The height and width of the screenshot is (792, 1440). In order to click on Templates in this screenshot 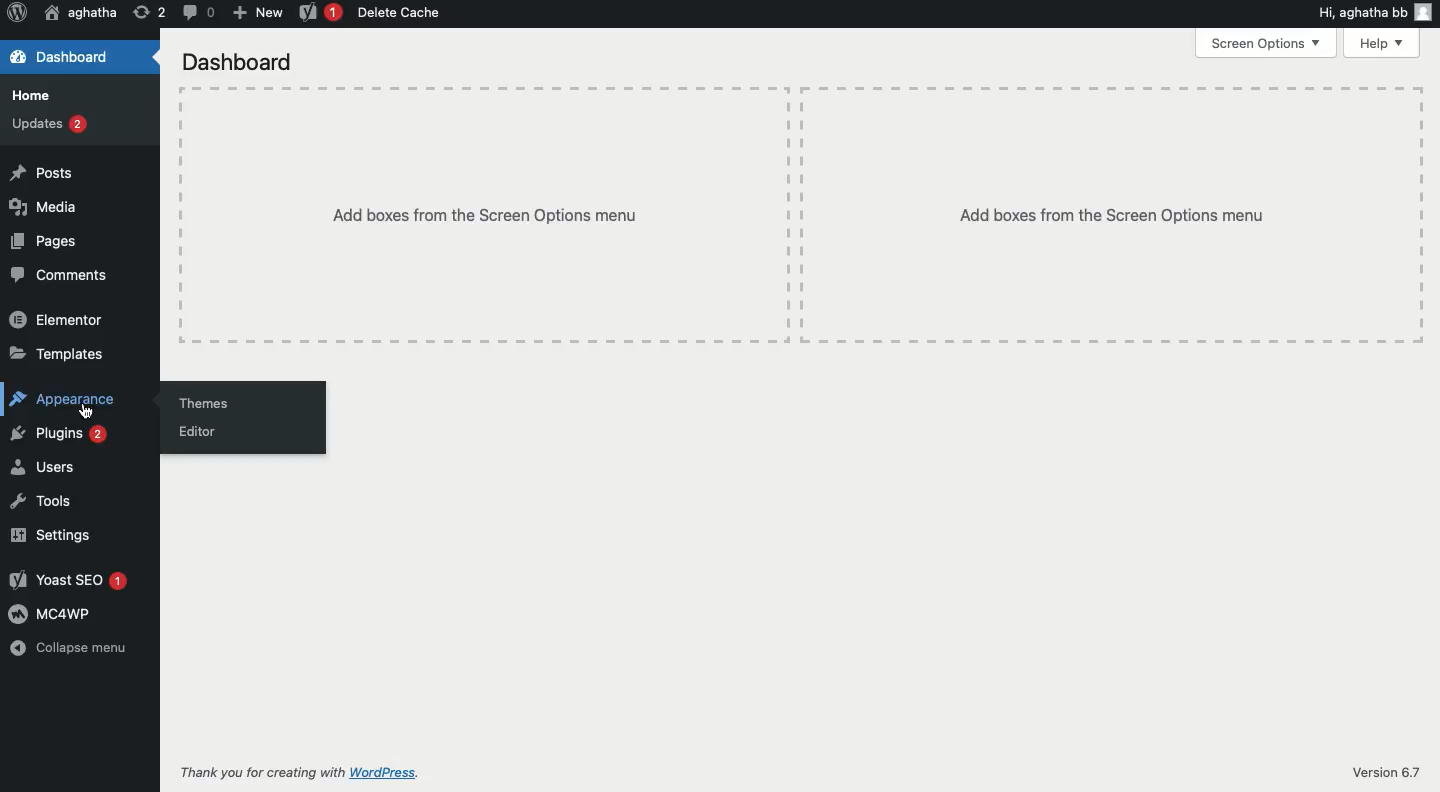, I will do `click(59, 354)`.